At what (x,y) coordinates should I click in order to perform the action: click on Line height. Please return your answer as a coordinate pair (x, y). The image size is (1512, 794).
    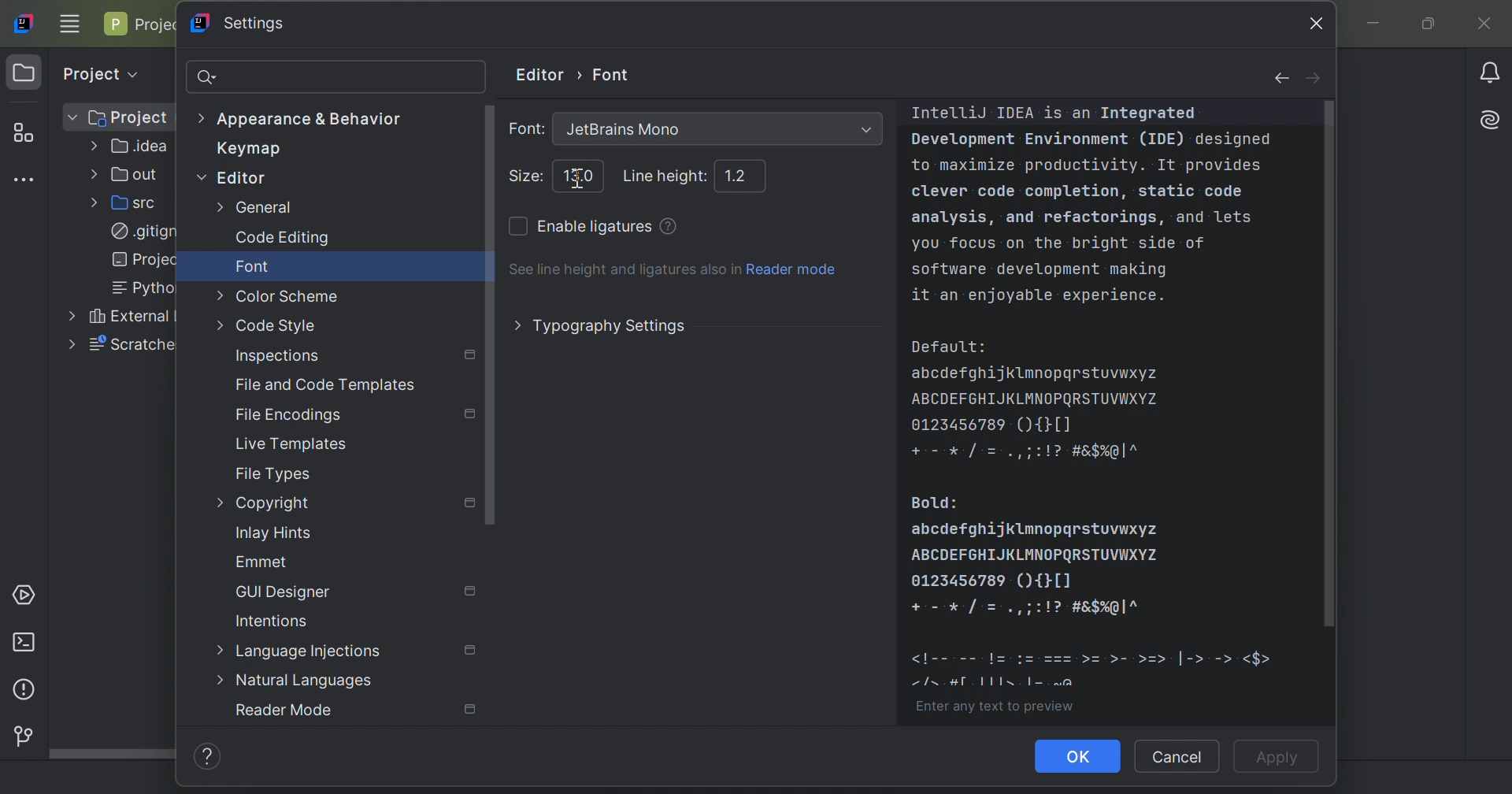
    Looking at the image, I should click on (666, 177).